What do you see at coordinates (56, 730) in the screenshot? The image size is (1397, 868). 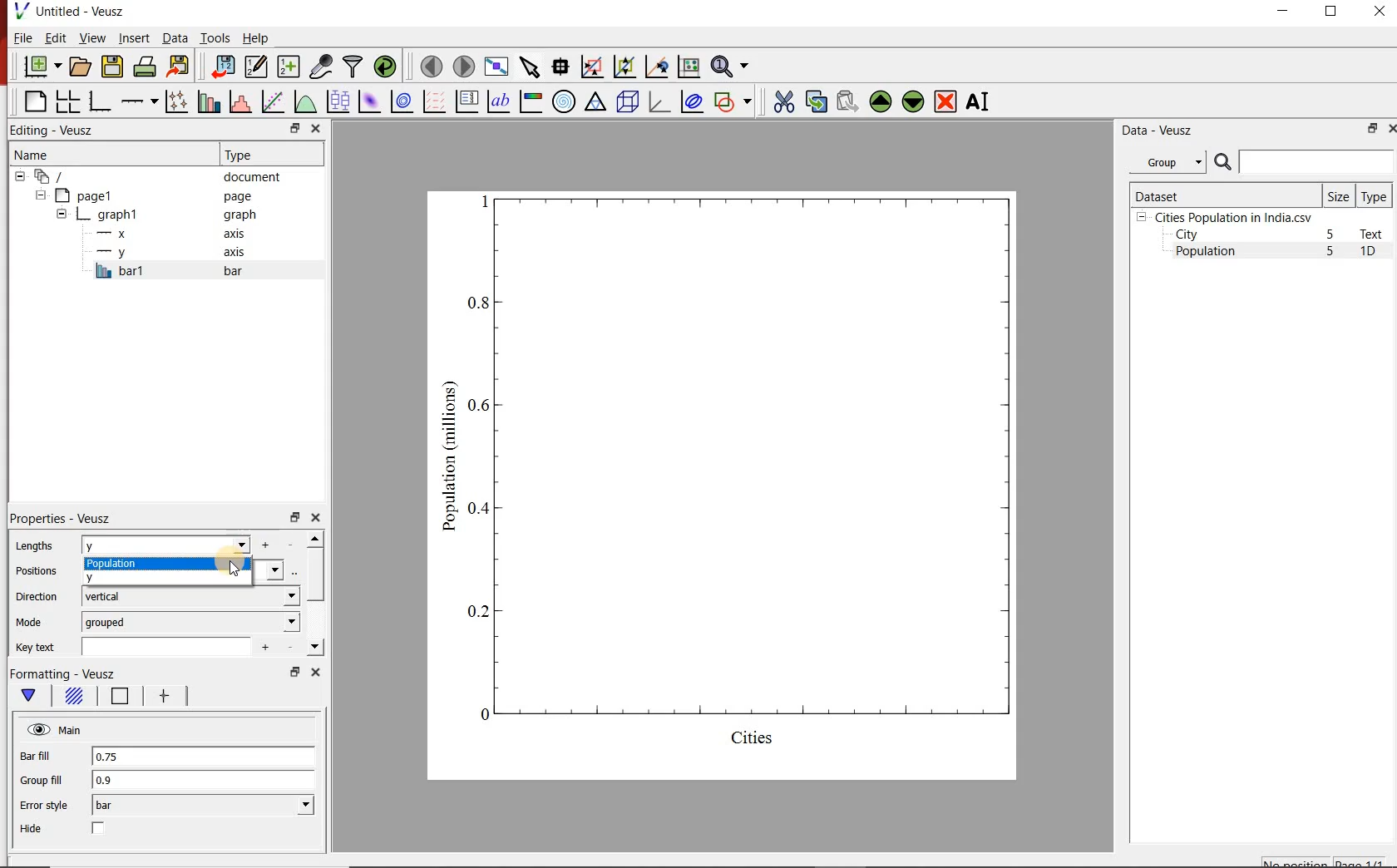 I see `Main` at bounding box center [56, 730].